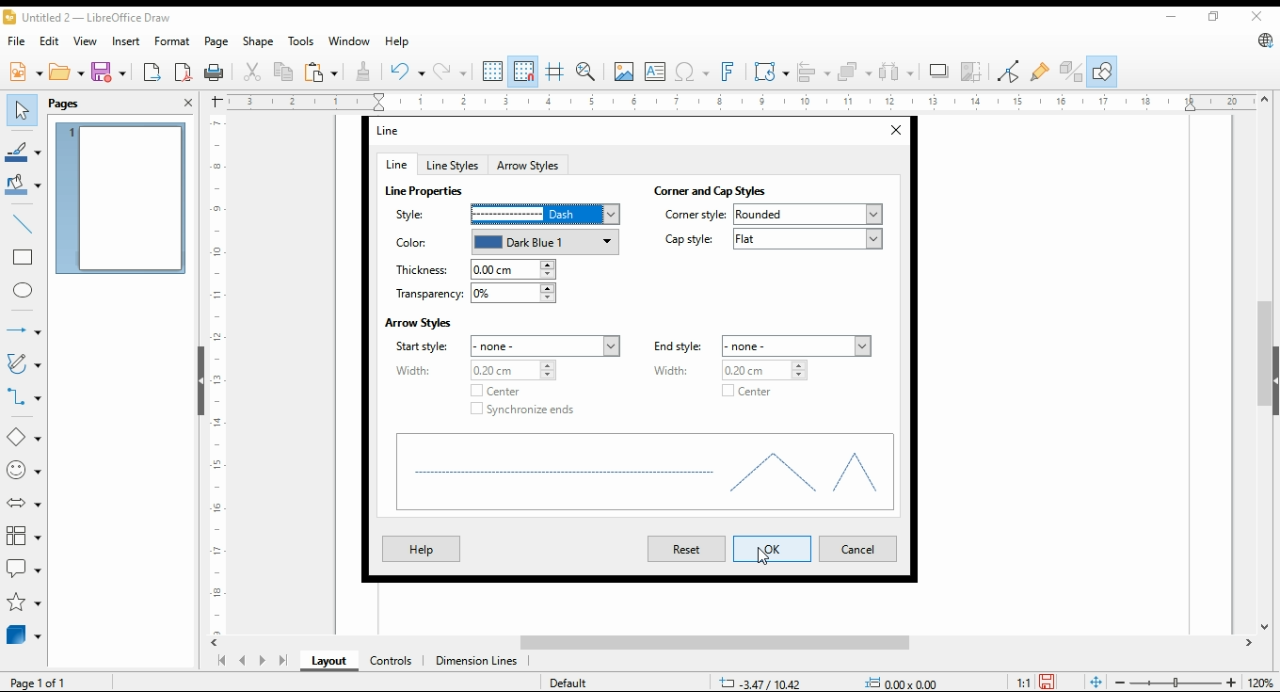 This screenshot has width=1280, height=692. What do you see at coordinates (726, 72) in the screenshot?
I see `insert fontwork text` at bounding box center [726, 72].